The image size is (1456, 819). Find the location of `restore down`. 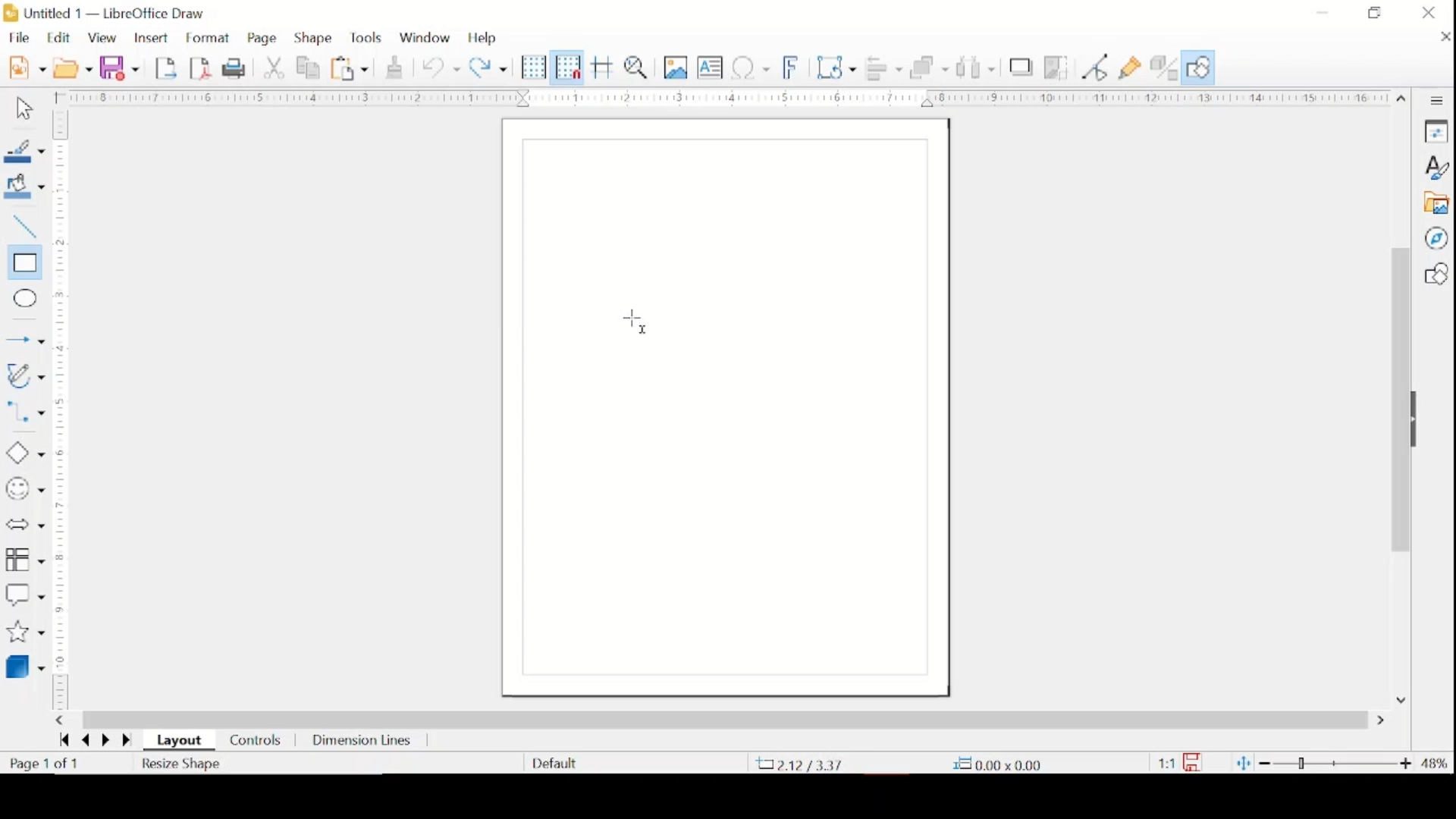

restore down is located at coordinates (1374, 12).